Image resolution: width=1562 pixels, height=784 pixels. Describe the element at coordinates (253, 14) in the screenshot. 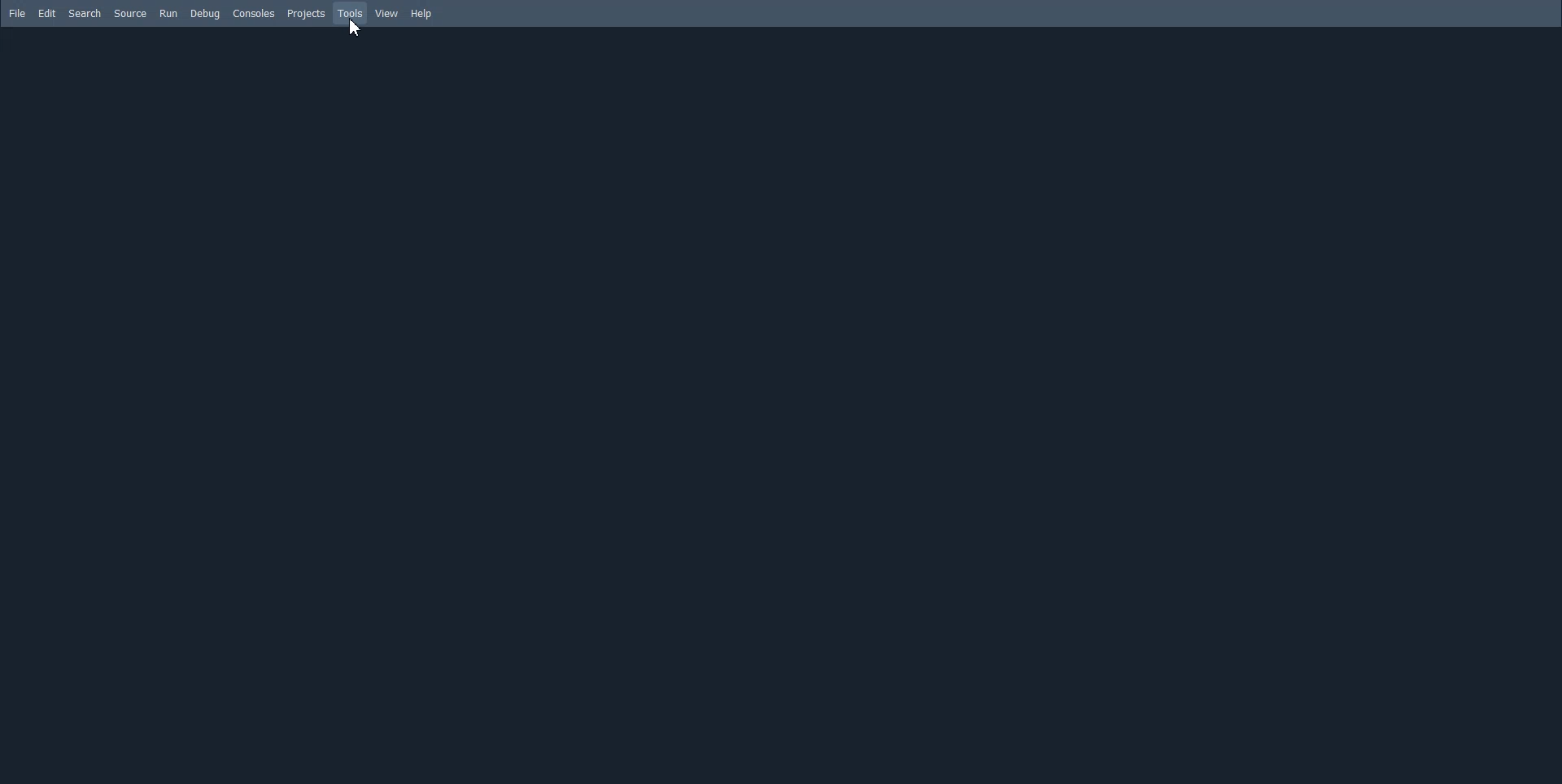

I see `Consoles` at that location.